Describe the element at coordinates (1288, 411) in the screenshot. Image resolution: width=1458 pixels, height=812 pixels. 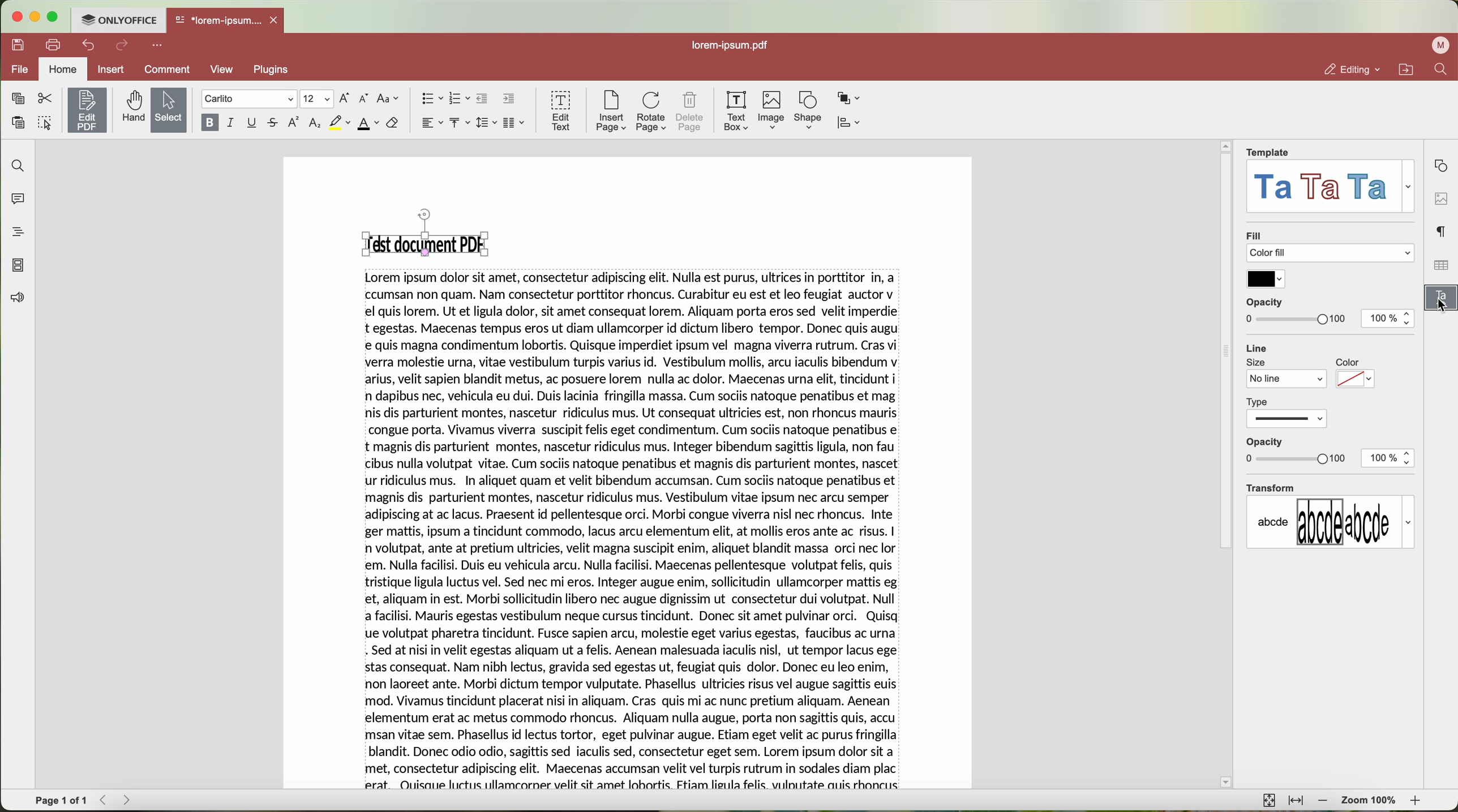
I see `type` at that location.